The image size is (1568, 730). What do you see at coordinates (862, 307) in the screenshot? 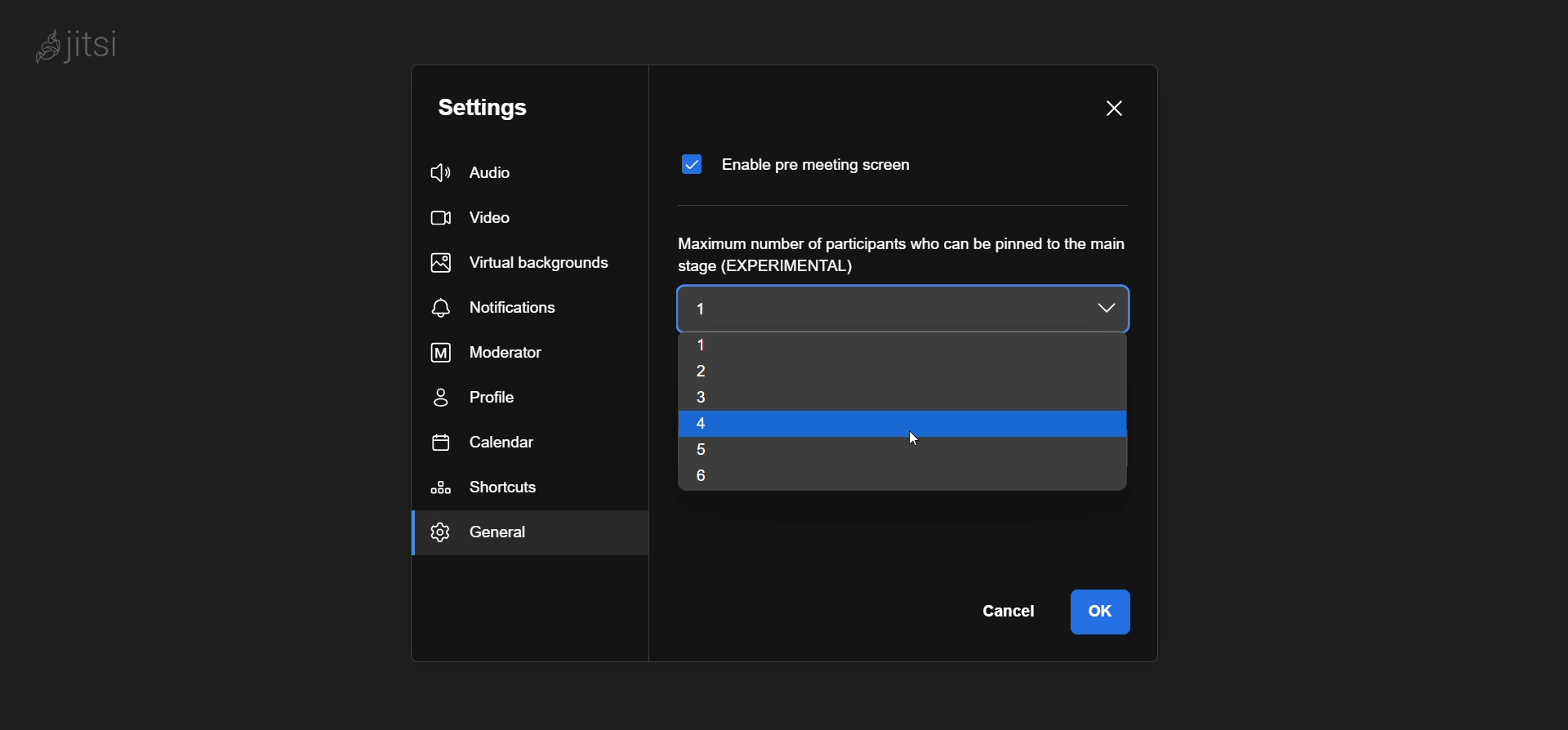
I see `number of participants 1` at bounding box center [862, 307].